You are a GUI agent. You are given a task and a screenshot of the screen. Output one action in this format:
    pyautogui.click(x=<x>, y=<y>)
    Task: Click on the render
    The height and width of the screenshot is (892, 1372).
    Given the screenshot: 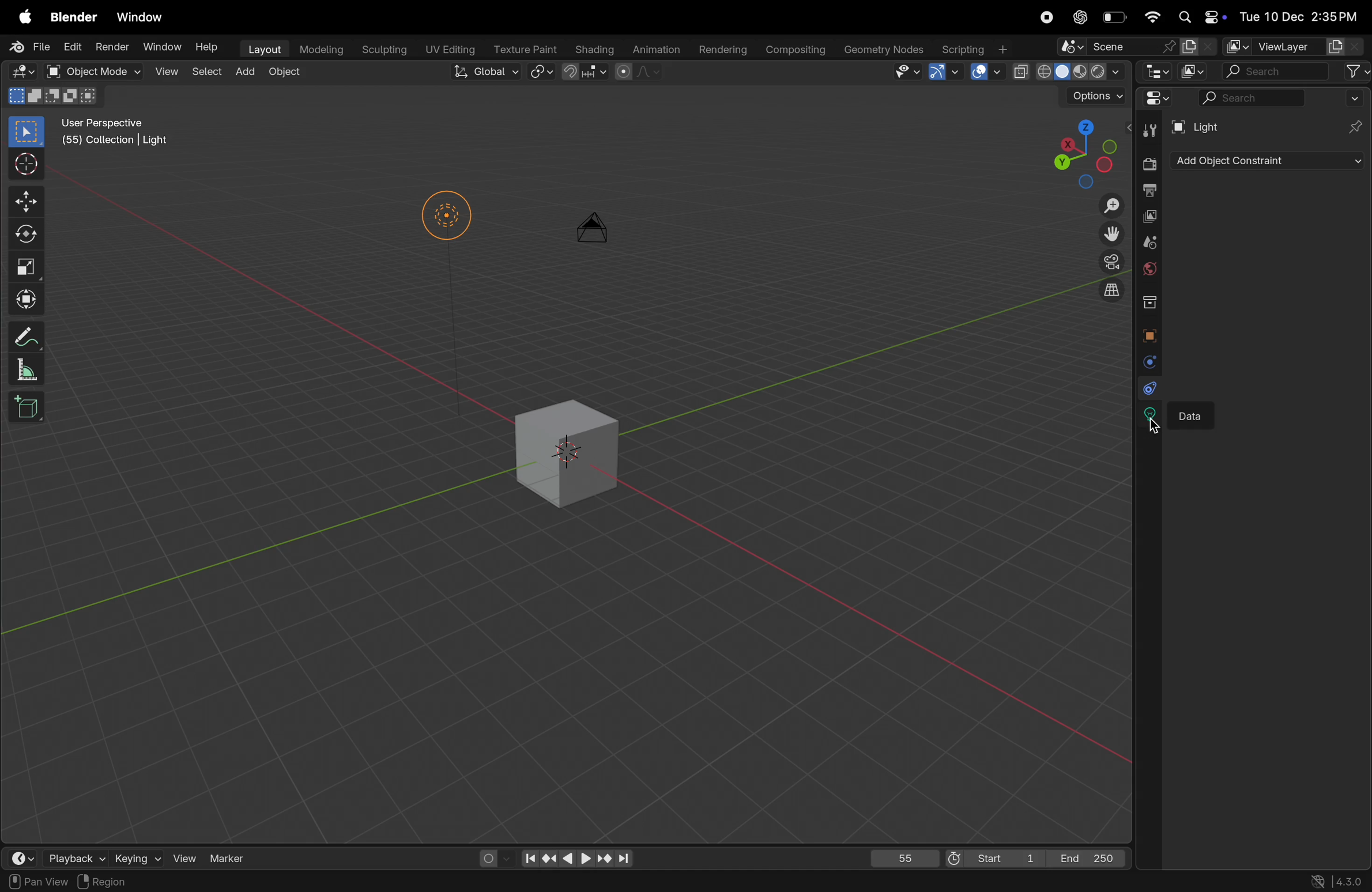 What is the action you would take?
    pyautogui.click(x=1148, y=161)
    